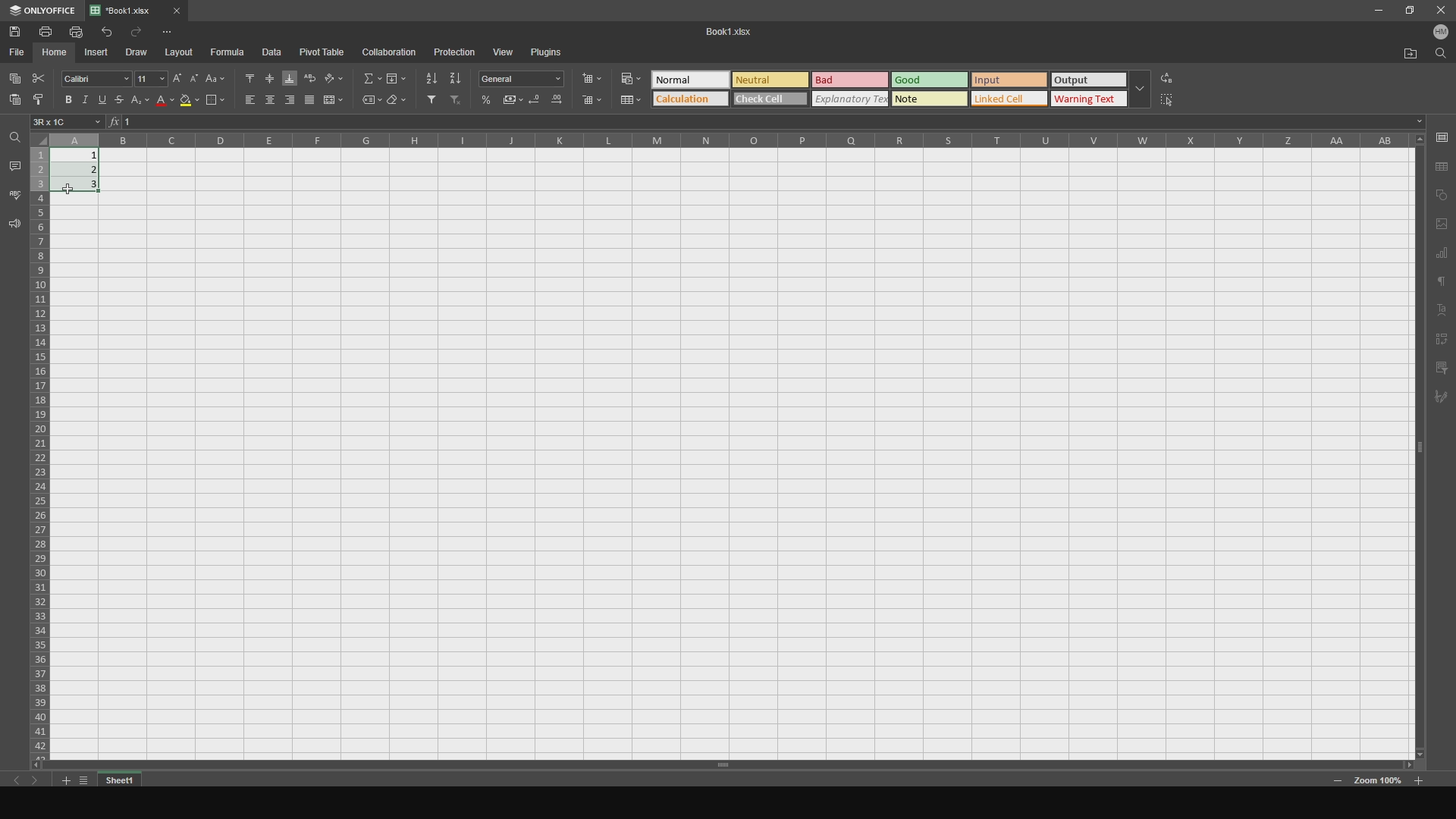  Describe the element at coordinates (176, 78) in the screenshot. I see `increment font size` at that location.